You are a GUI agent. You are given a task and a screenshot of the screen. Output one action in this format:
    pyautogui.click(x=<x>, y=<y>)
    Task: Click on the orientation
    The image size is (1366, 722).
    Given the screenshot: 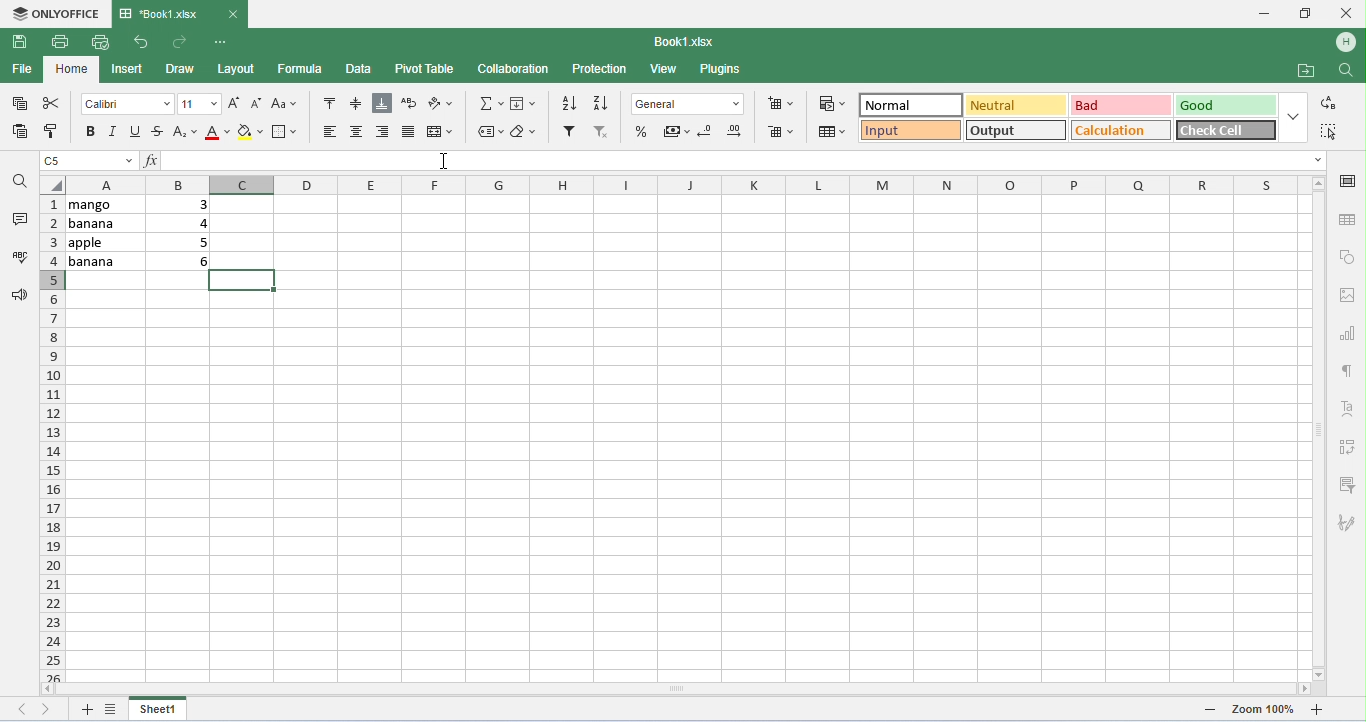 What is the action you would take?
    pyautogui.click(x=442, y=105)
    